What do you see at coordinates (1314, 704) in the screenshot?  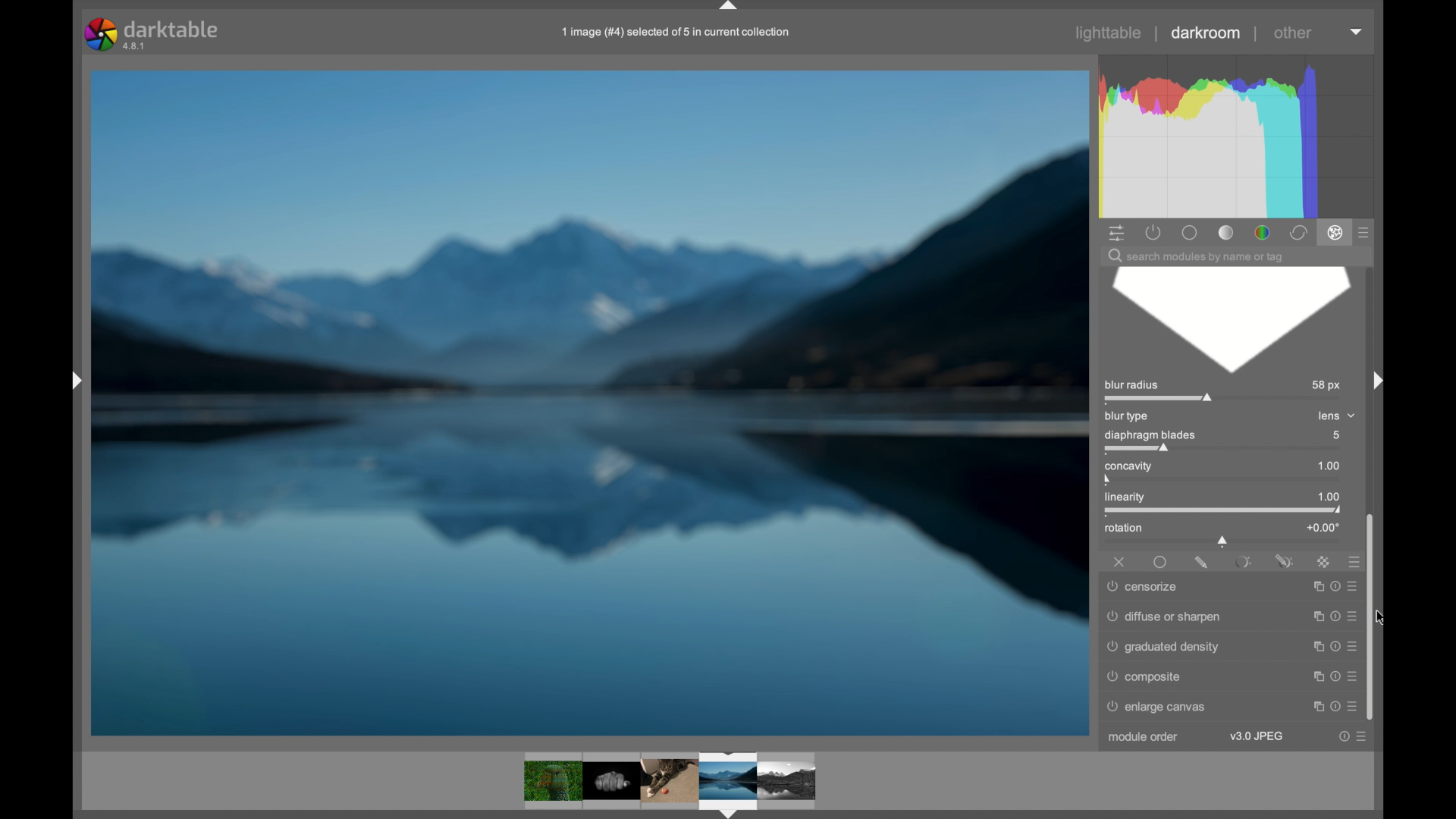 I see `maximize` at bounding box center [1314, 704].